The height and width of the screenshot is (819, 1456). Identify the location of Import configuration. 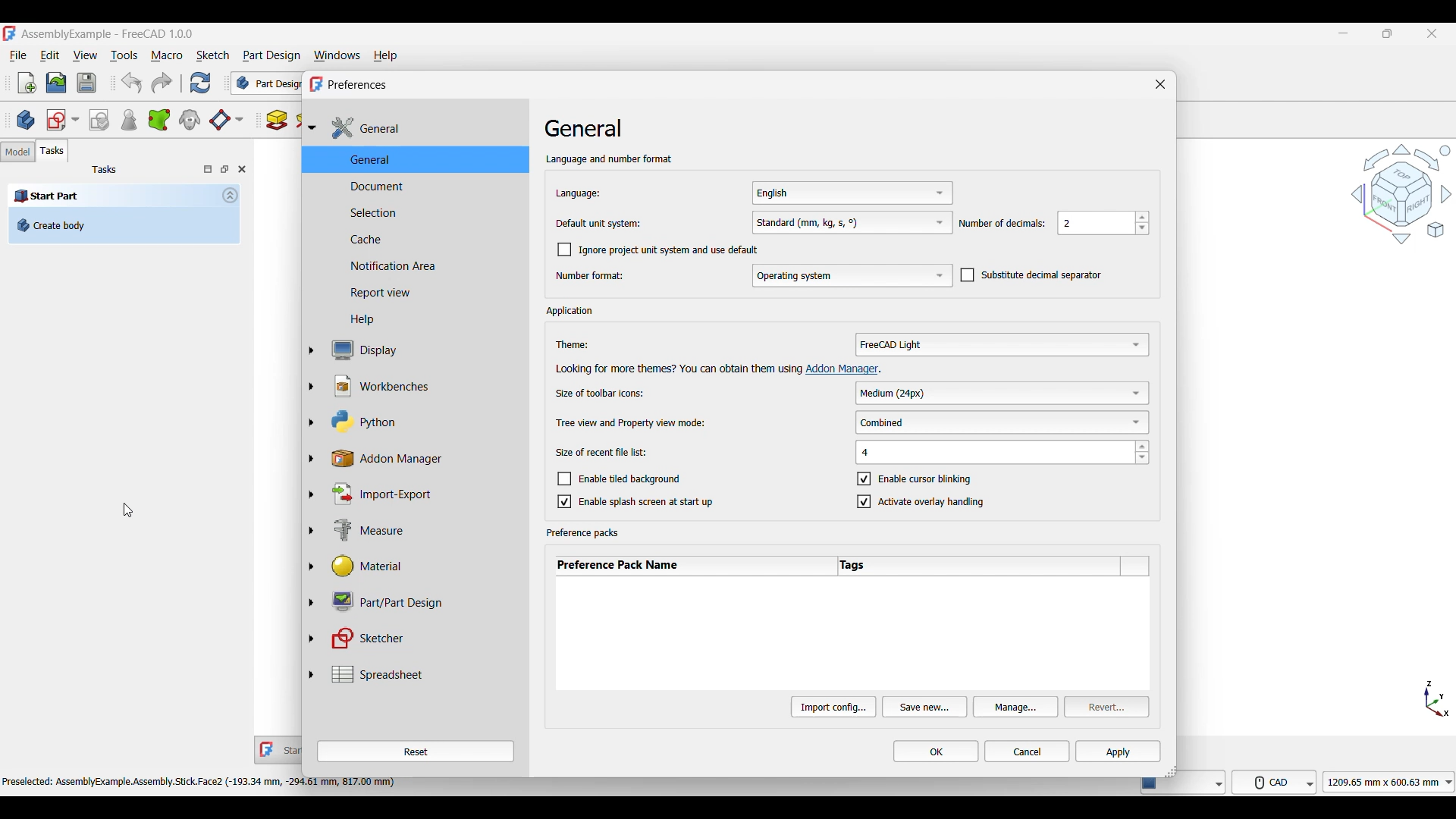
(833, 707).